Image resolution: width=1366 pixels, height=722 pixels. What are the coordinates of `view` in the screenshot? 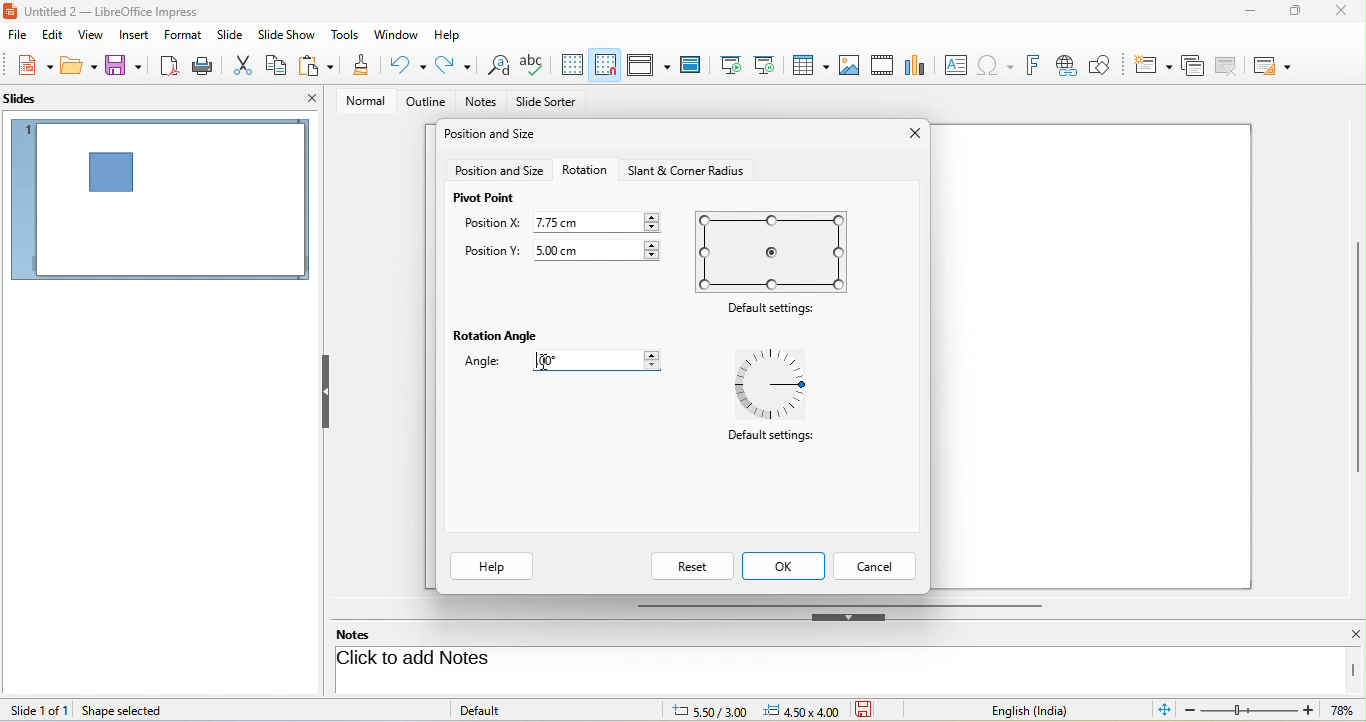 It's located at (88, 34).